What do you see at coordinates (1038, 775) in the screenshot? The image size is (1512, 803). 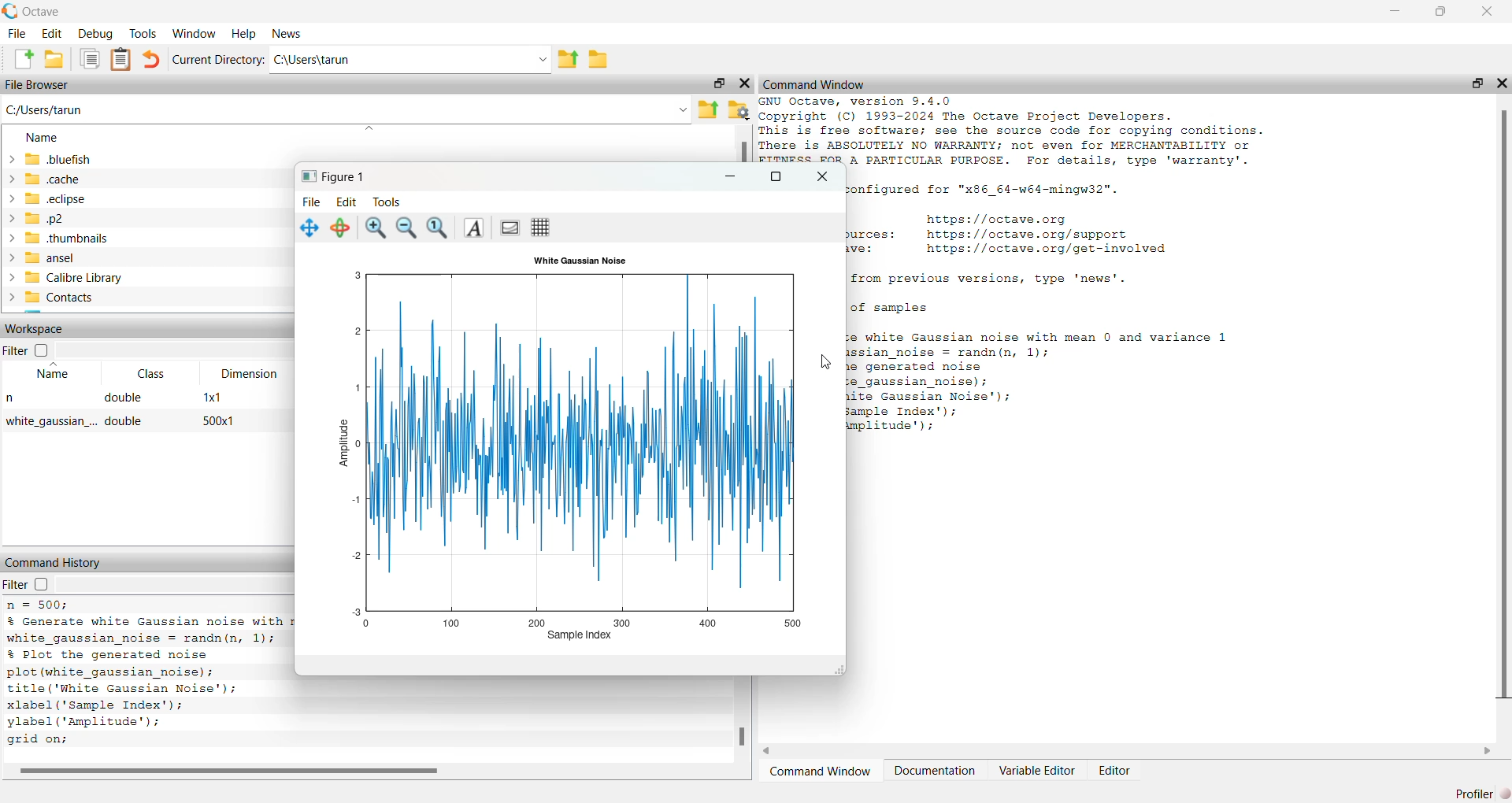 I see `Variable Editor` at bounding box center [1038, 775].